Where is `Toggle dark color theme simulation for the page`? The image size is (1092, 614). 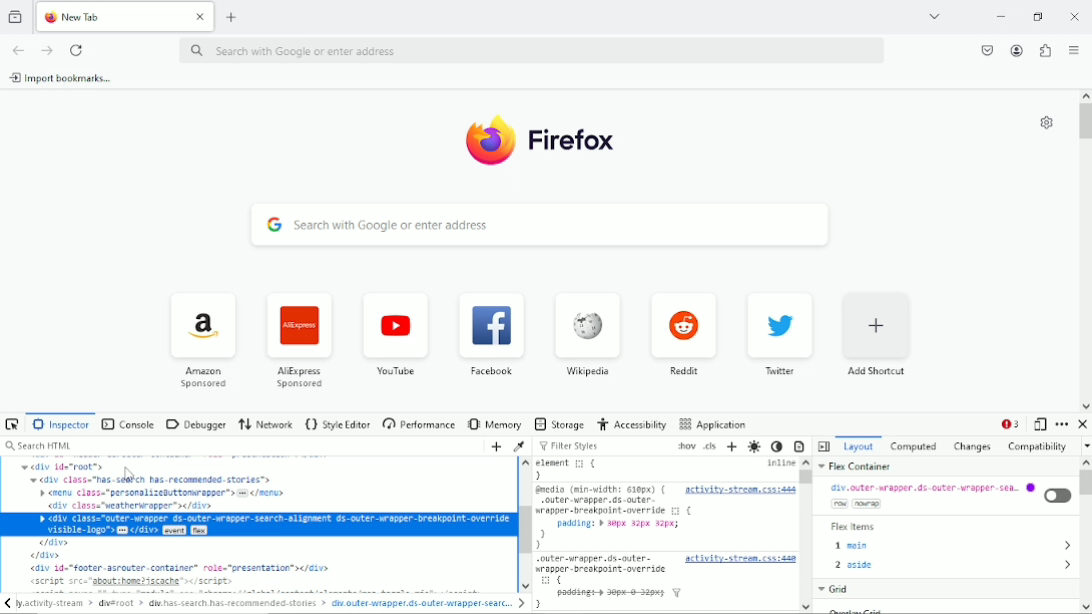 Toggle dark color theme simulation for the page is located at coordinates (778, 446).